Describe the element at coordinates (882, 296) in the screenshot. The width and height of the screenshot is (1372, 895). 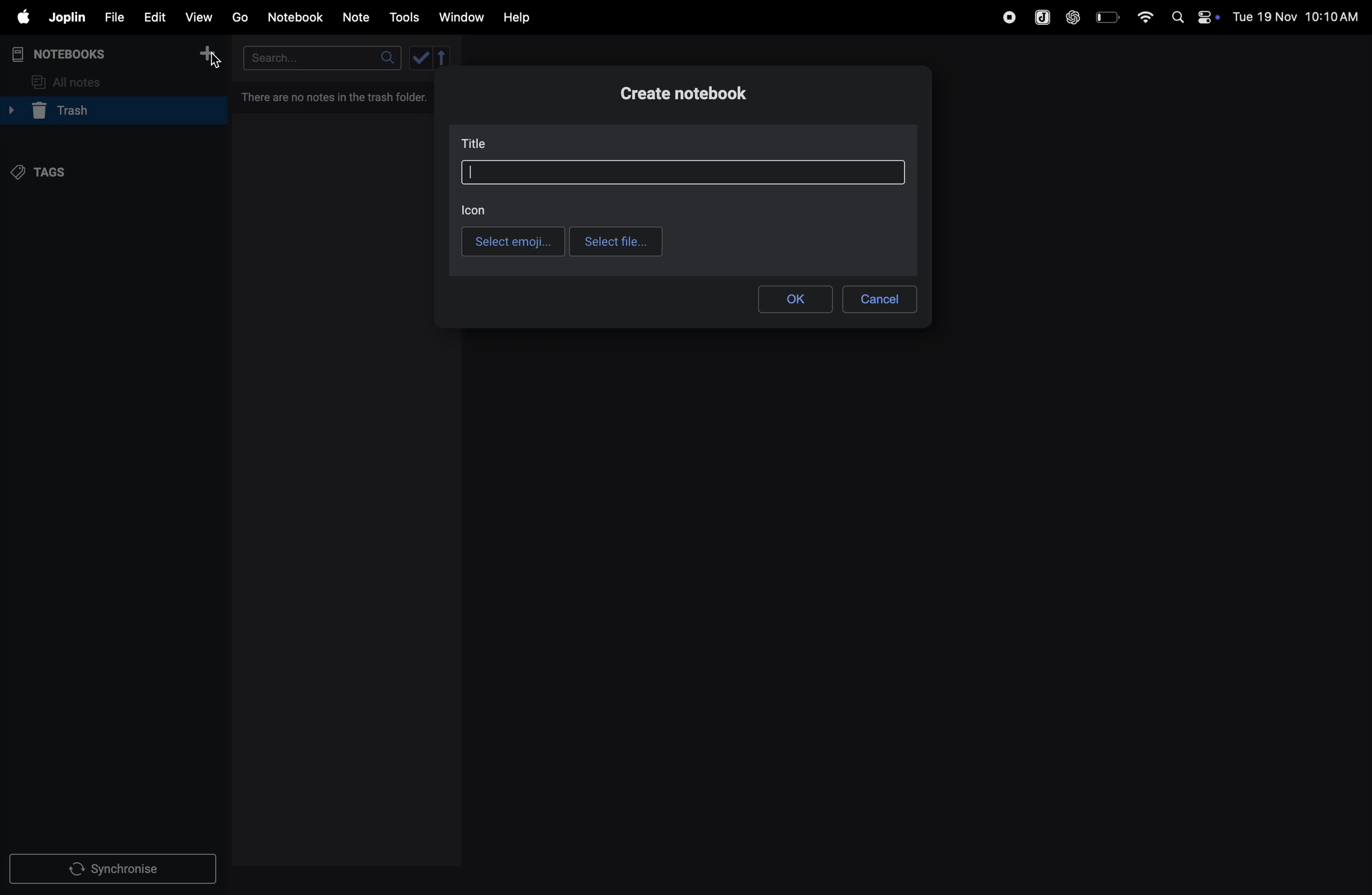
I see `cancel` at that location.